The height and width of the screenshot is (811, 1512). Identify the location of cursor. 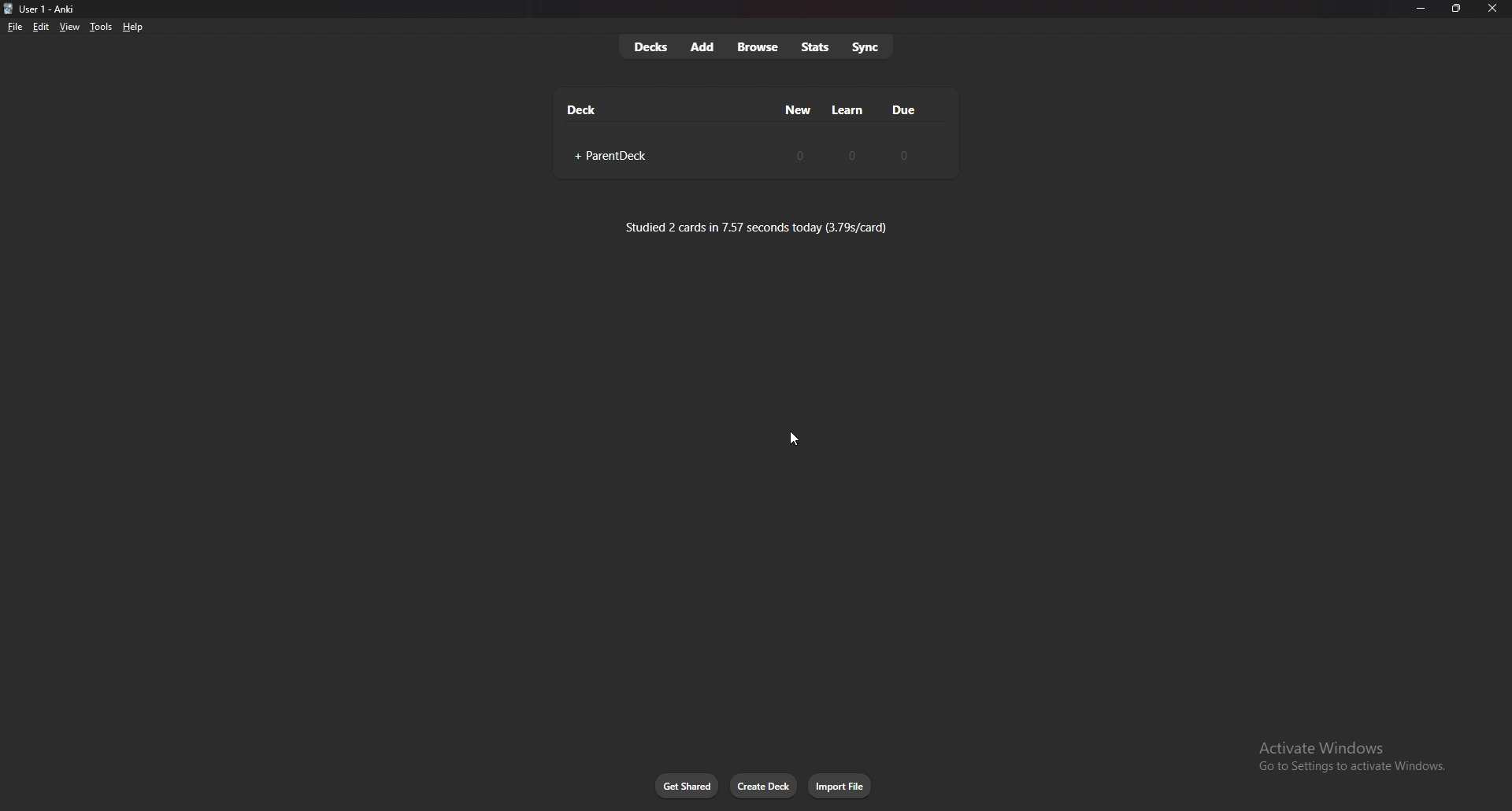
(791, 438).